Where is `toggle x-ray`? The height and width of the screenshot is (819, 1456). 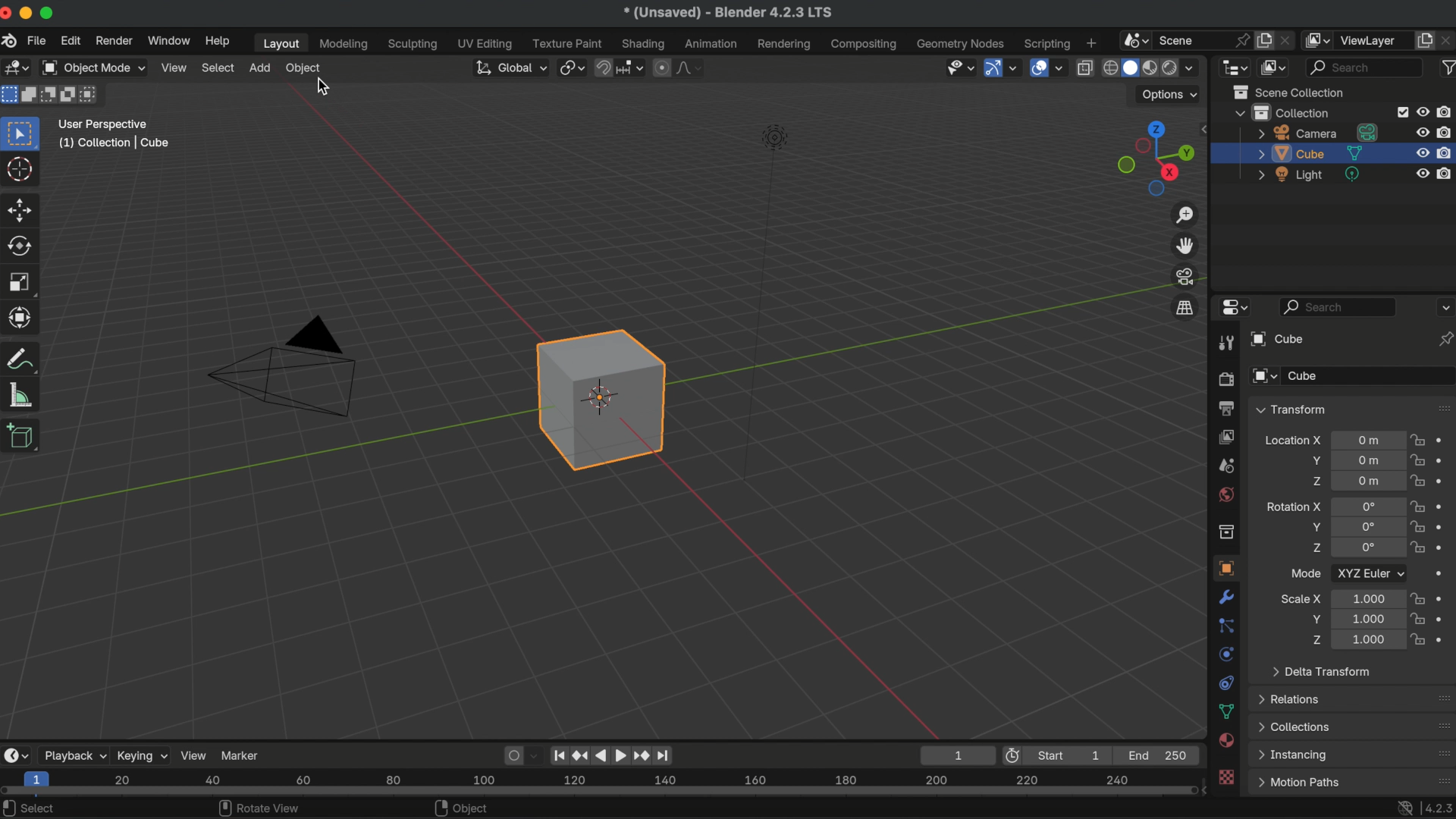 toggle x-ray is located at coordinates (1084, 67).